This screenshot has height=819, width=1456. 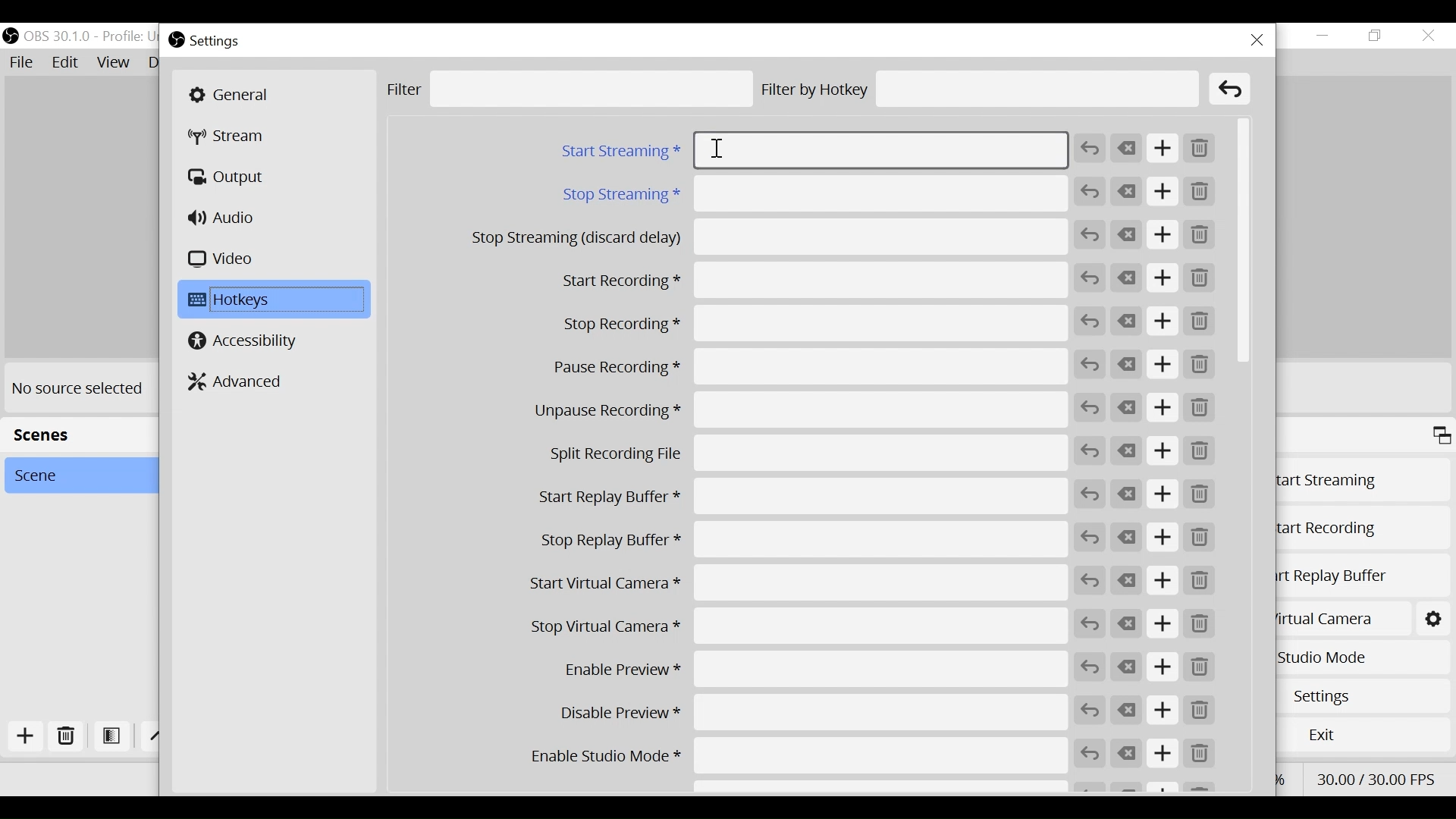 I want to click on Restore, so click(x=1376, y=36).